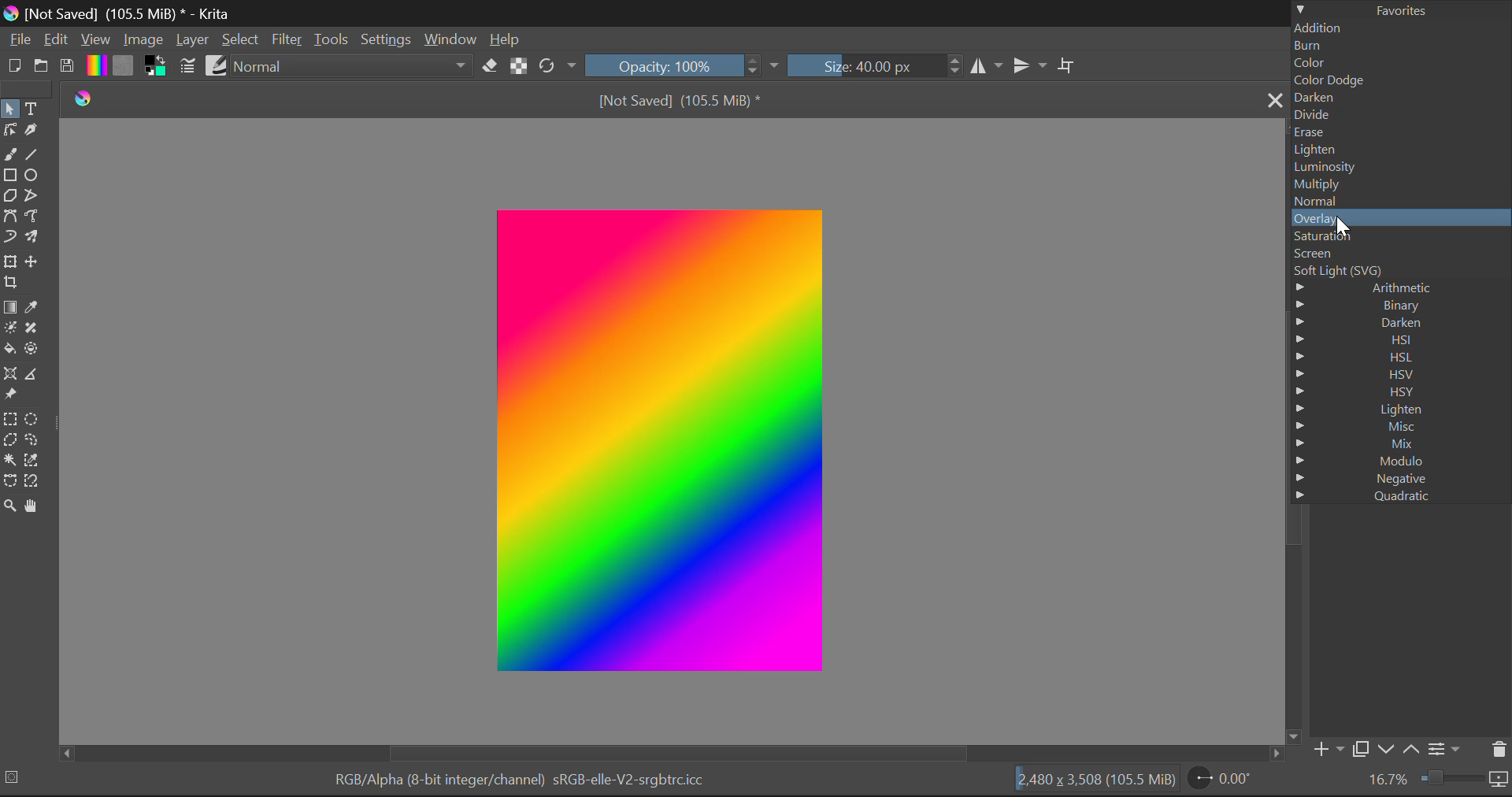 The height and width of the screenshot is (797, 1512). What do you see at coordinates (492, 69) in the screenshot?
I see `Erase` at bounding box center [492, 69].